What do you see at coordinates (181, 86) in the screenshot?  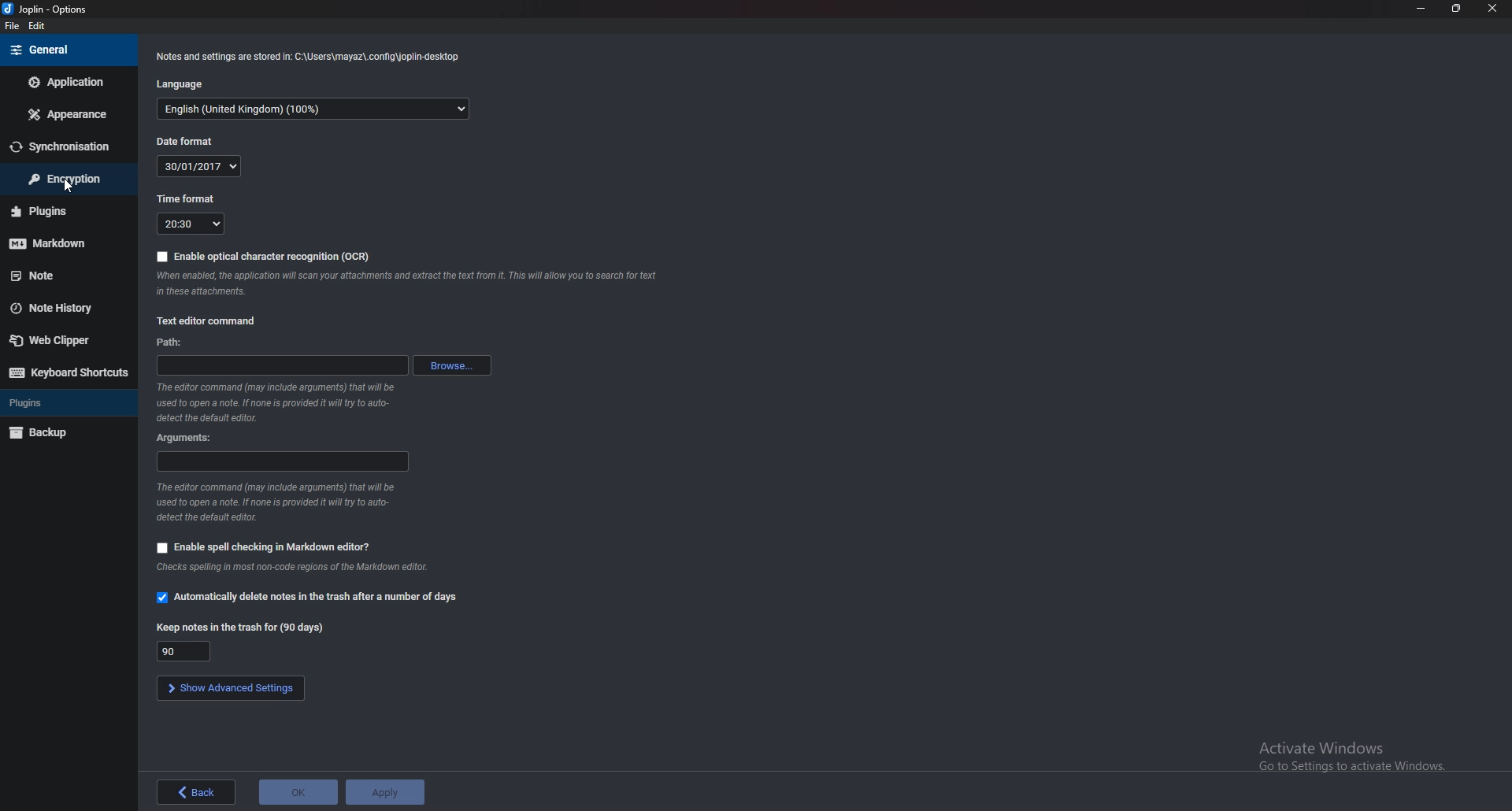 I see `language` at bounding box center [181, 86].